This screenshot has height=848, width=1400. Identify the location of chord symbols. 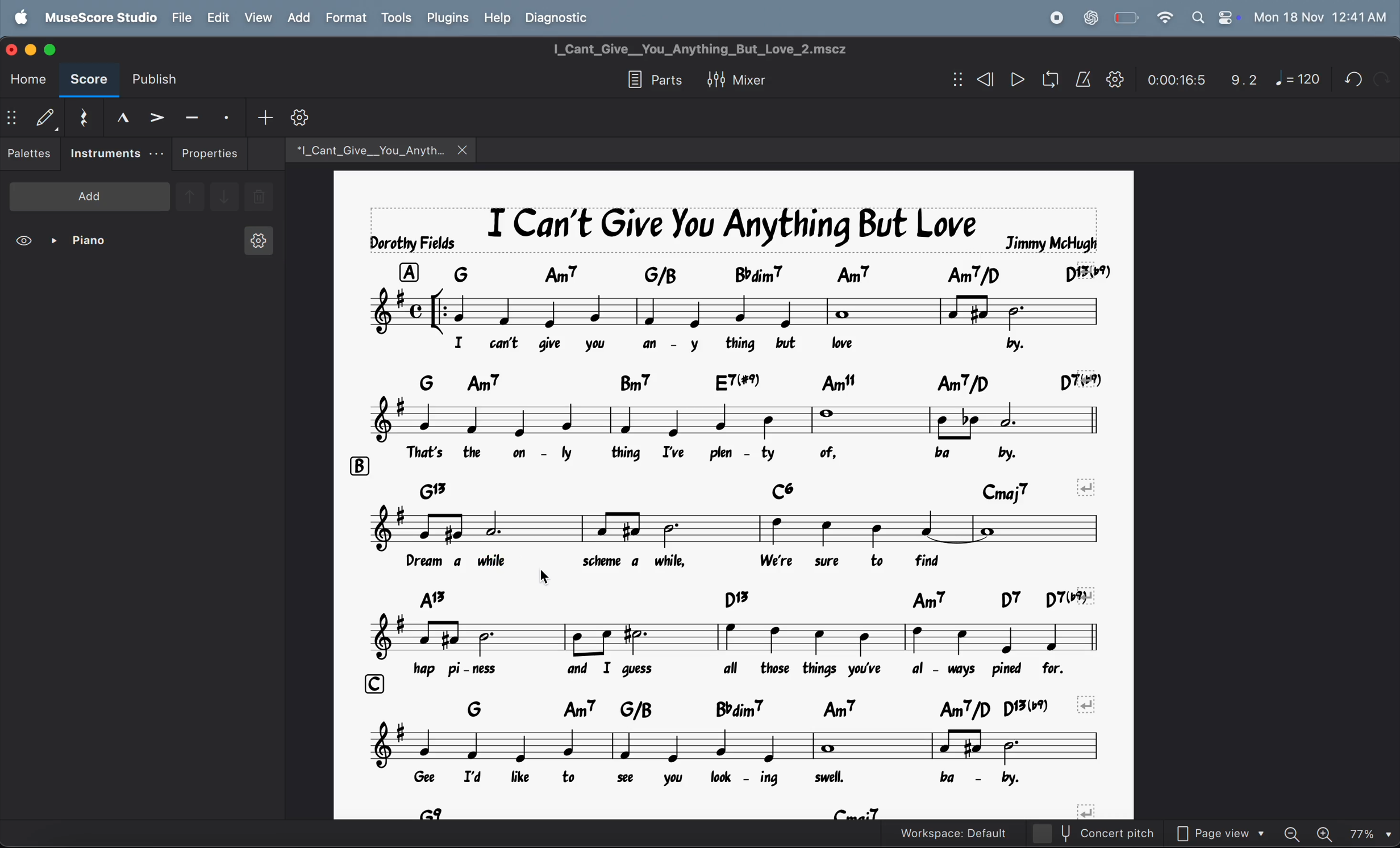
(755, 490).